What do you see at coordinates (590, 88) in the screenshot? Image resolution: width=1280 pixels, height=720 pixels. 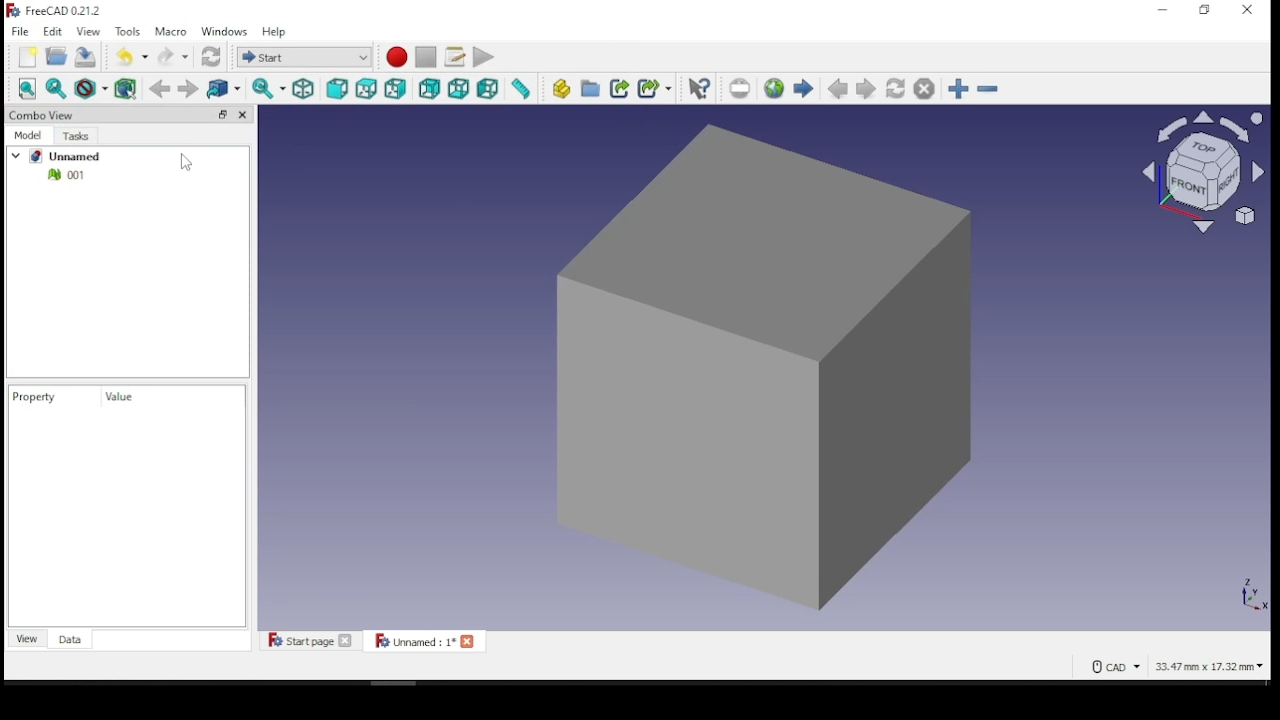 I see `create group` at bounding box center [590, 88].